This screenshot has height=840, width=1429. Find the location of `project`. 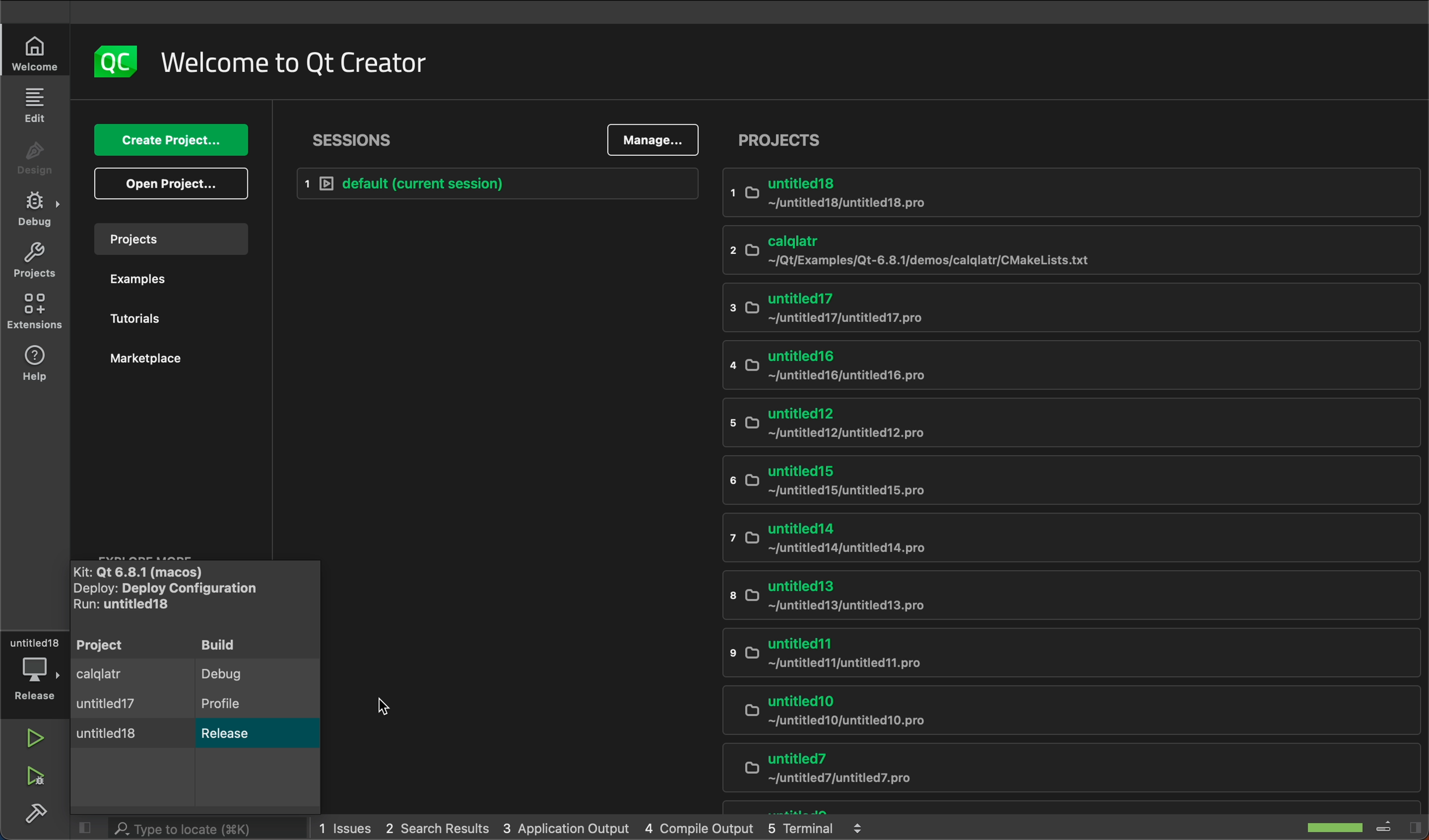

project is located at coordinates (103, 644).